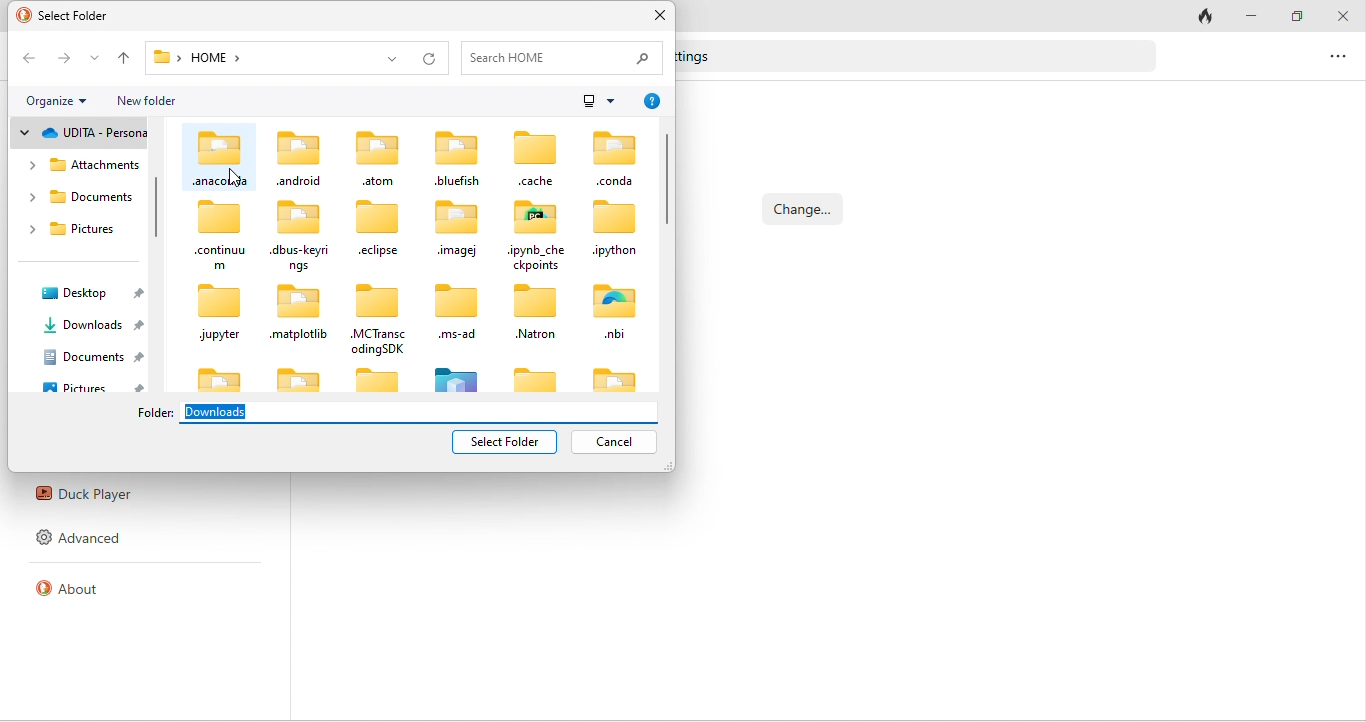  What do you see at coordinates (457, 228) in the screenshot?
I see `.imagej` at bounding box center [457, 228].